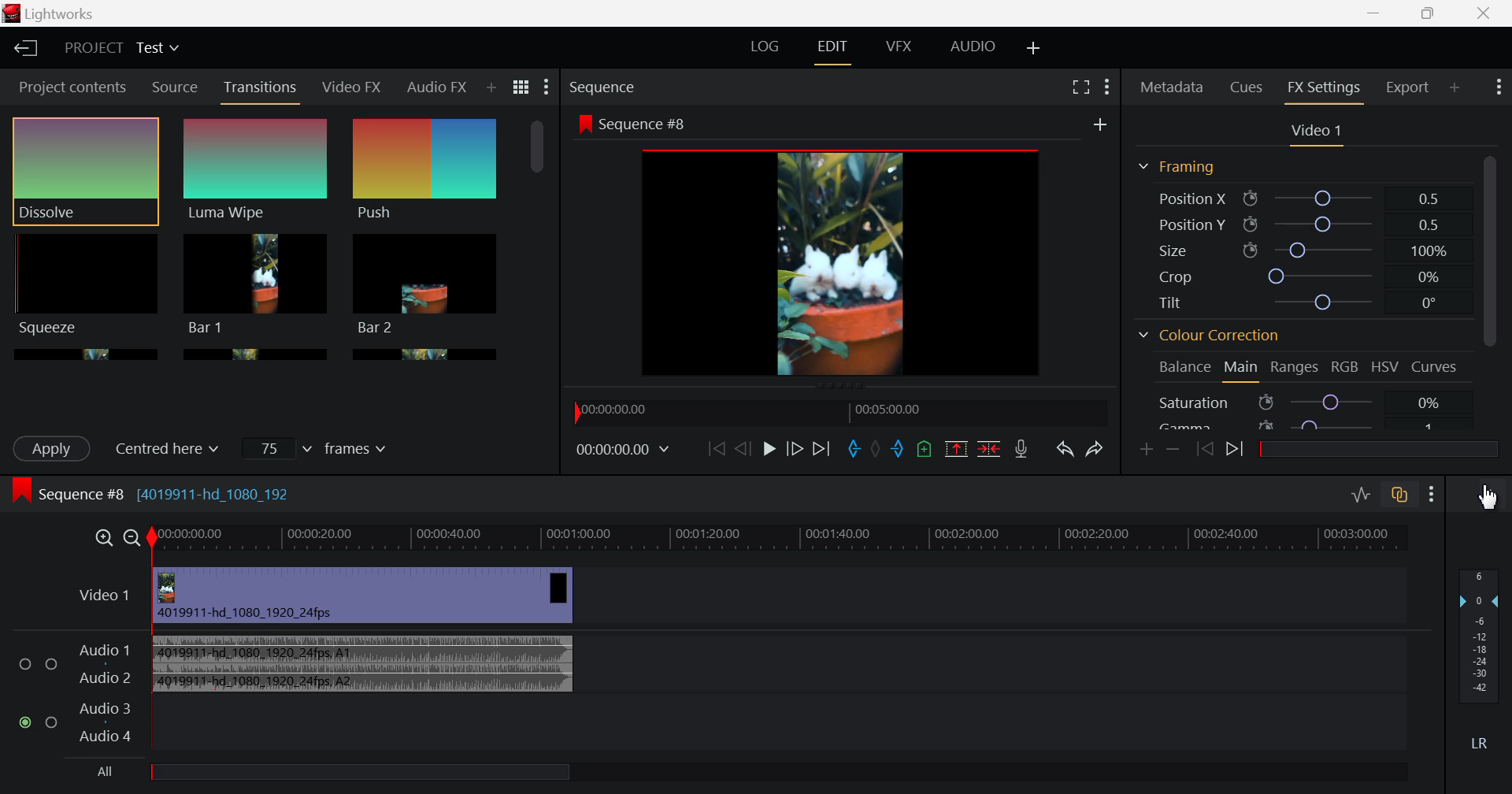  Describe the element at coordinates (174, 447) in the screenshot. I see `Centered here` at that location.